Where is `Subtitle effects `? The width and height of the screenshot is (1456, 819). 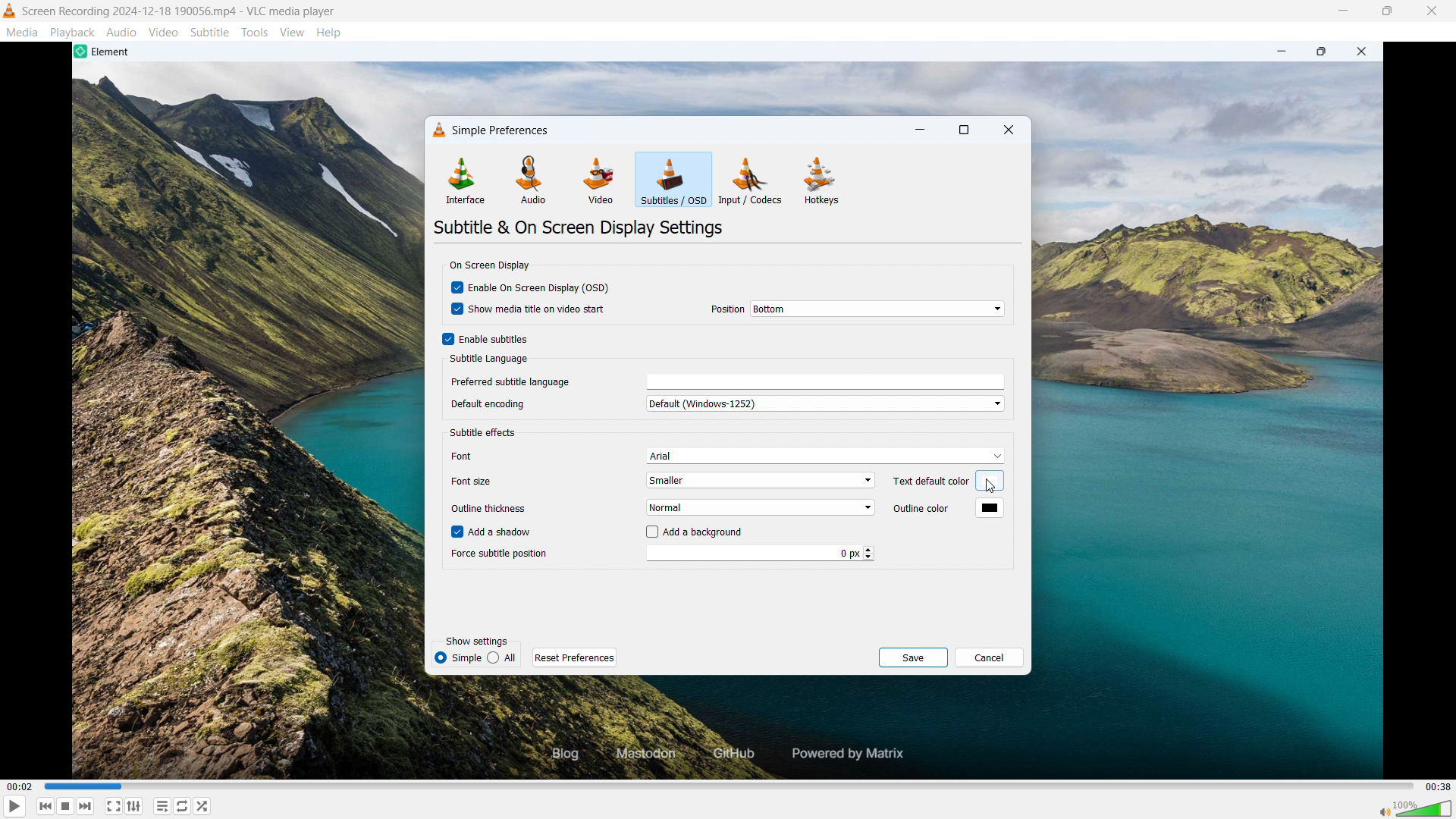 Subtitle effects  is located at coordinates (484, 432).